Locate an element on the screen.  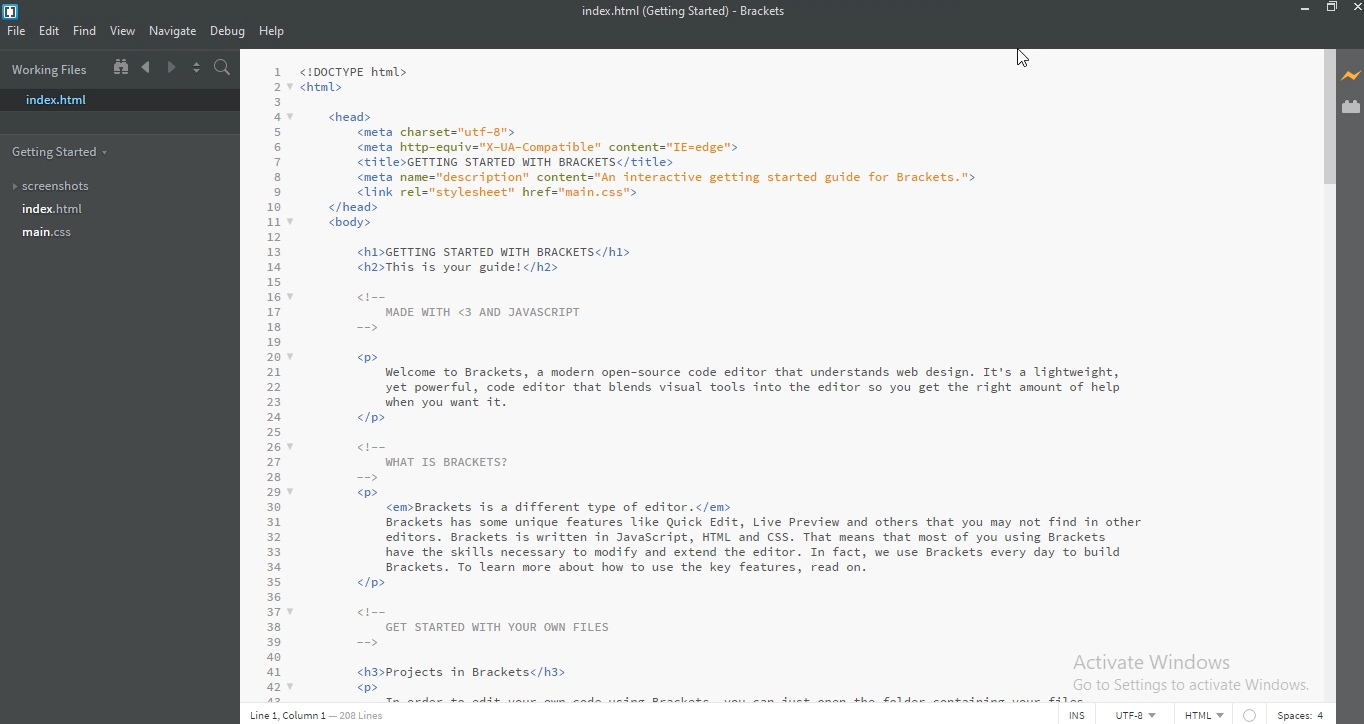
INS is located at coordinates (1076, 715).